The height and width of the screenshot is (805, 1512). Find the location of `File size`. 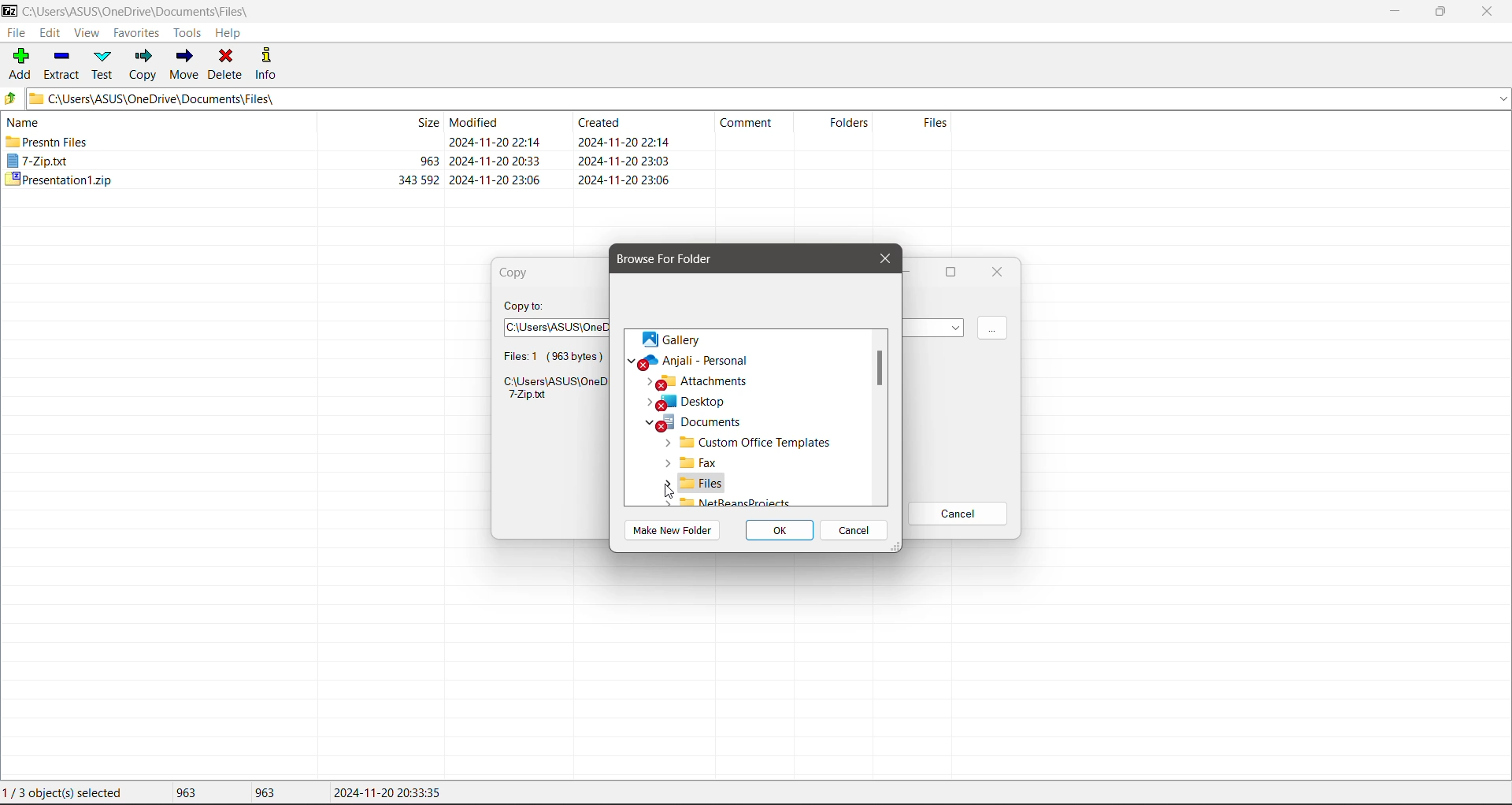

File size is located at coordinates (390, 152).